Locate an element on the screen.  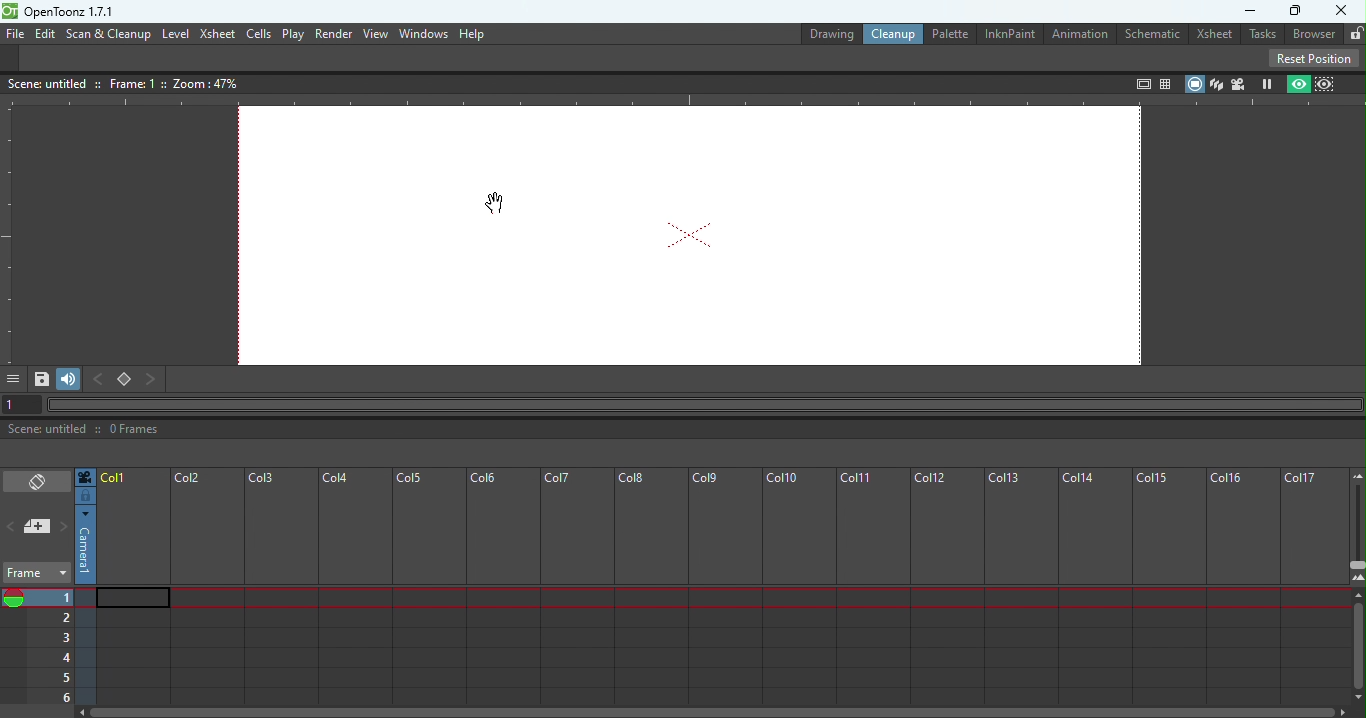
Preview is located at coordinates (1297, 83).